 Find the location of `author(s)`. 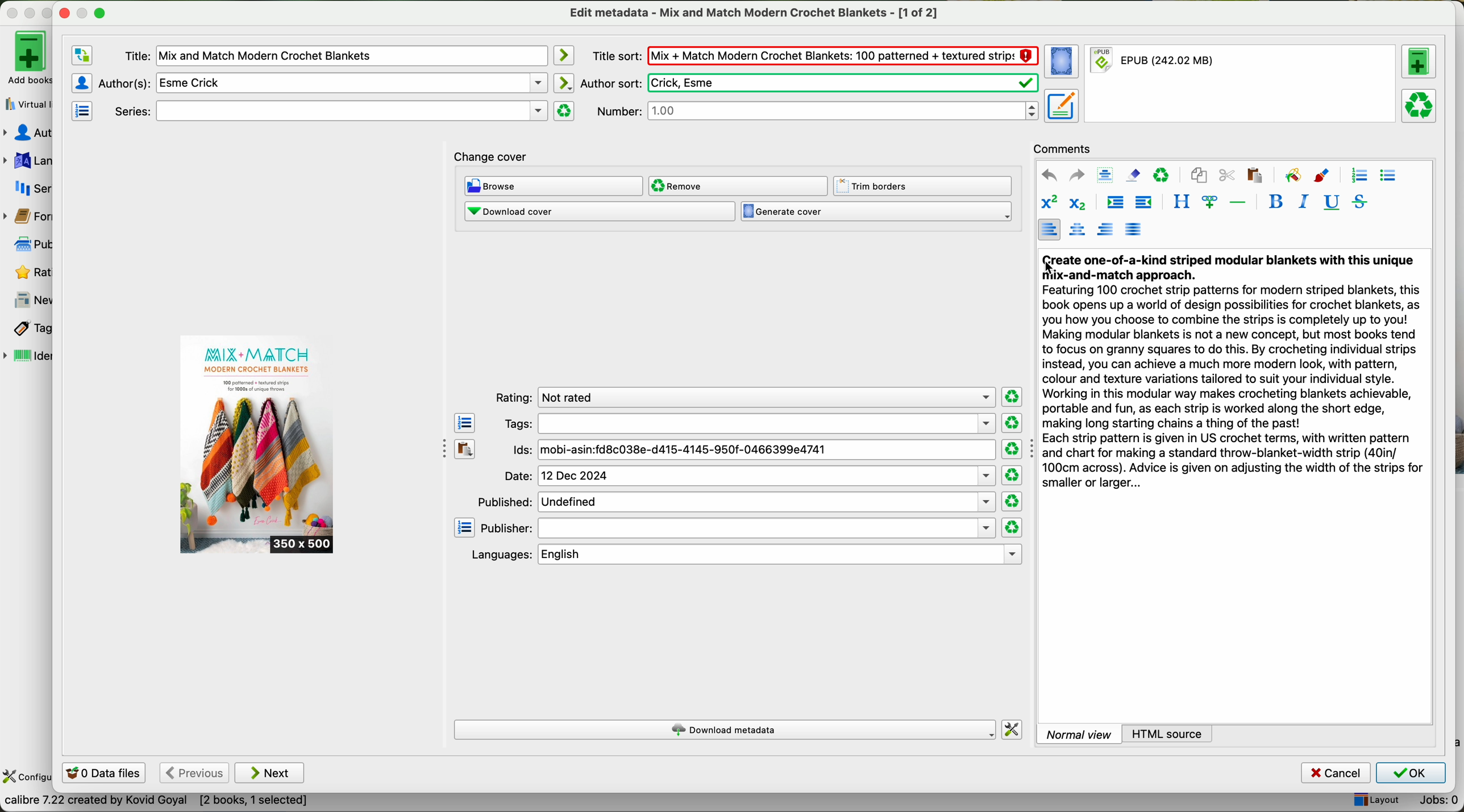

author(s) is located at coordinates (323, 82).